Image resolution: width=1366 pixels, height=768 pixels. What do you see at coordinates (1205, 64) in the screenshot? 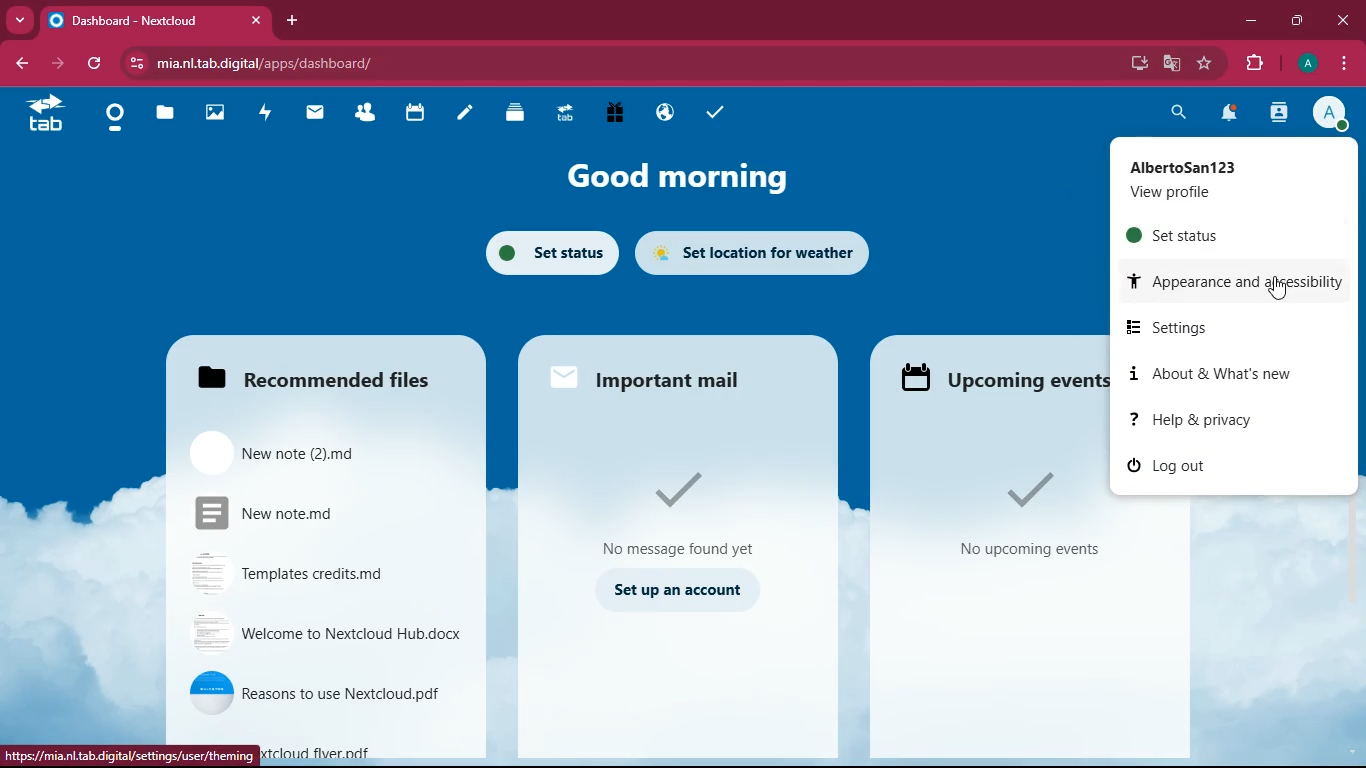
I see `favourite` at bounding box center [1205, 64].